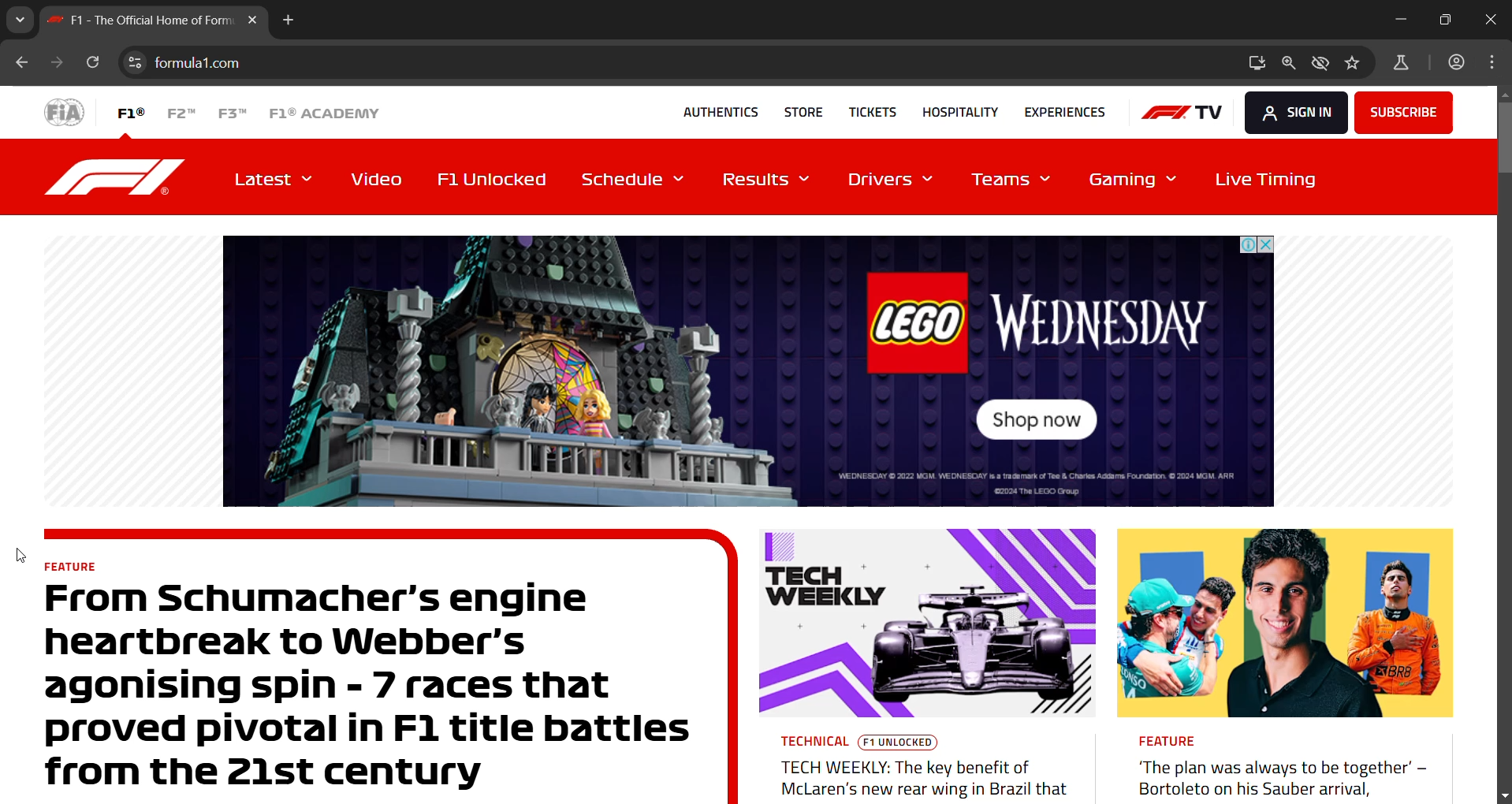 This screenshot has width=1512, height=804. What do you see at coordinates (1285, 664) in the screenshot?
I see `News: feature- plan was always to be together’ —Bortoleto on his Sauber arrival,` at bounding box center [1285, 664].